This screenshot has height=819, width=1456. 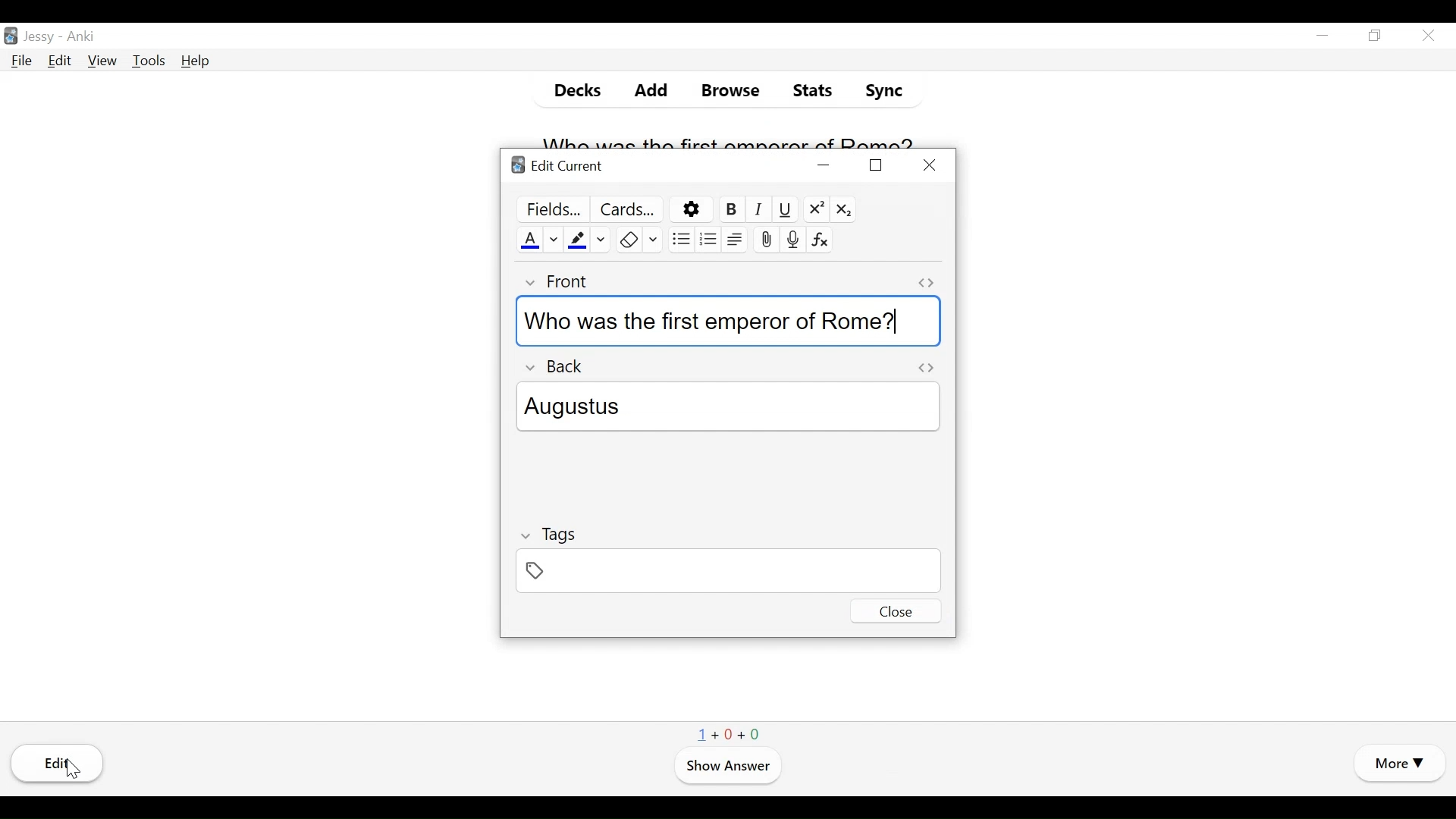 I want to click on Who was the first emperor of Rome?, so click(x=730, y=322).